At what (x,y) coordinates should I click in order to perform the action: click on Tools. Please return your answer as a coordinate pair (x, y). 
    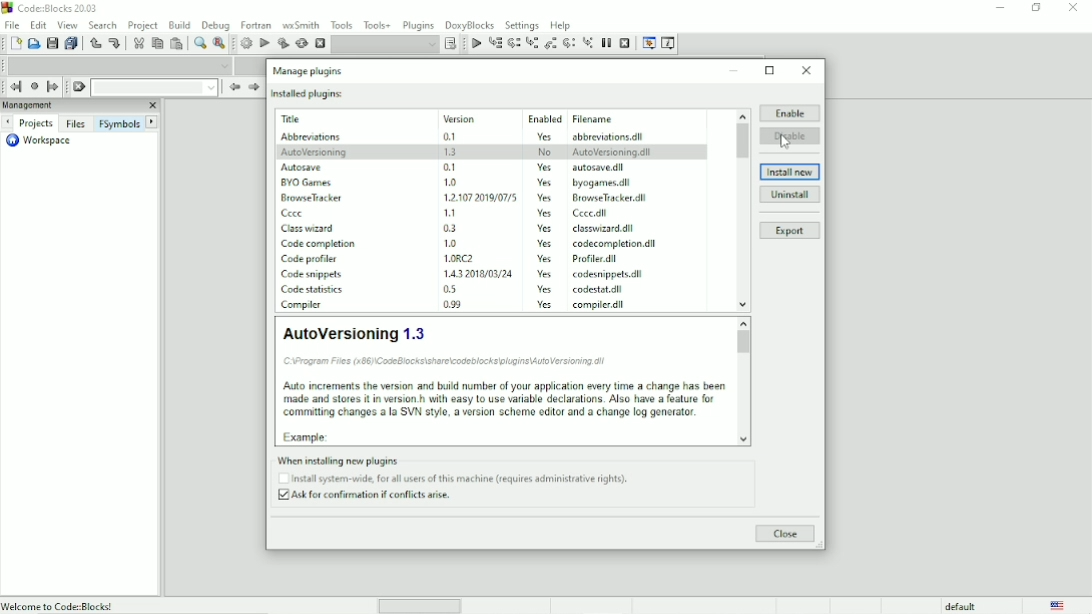
    Looking at the image, I should click on (343, 24).